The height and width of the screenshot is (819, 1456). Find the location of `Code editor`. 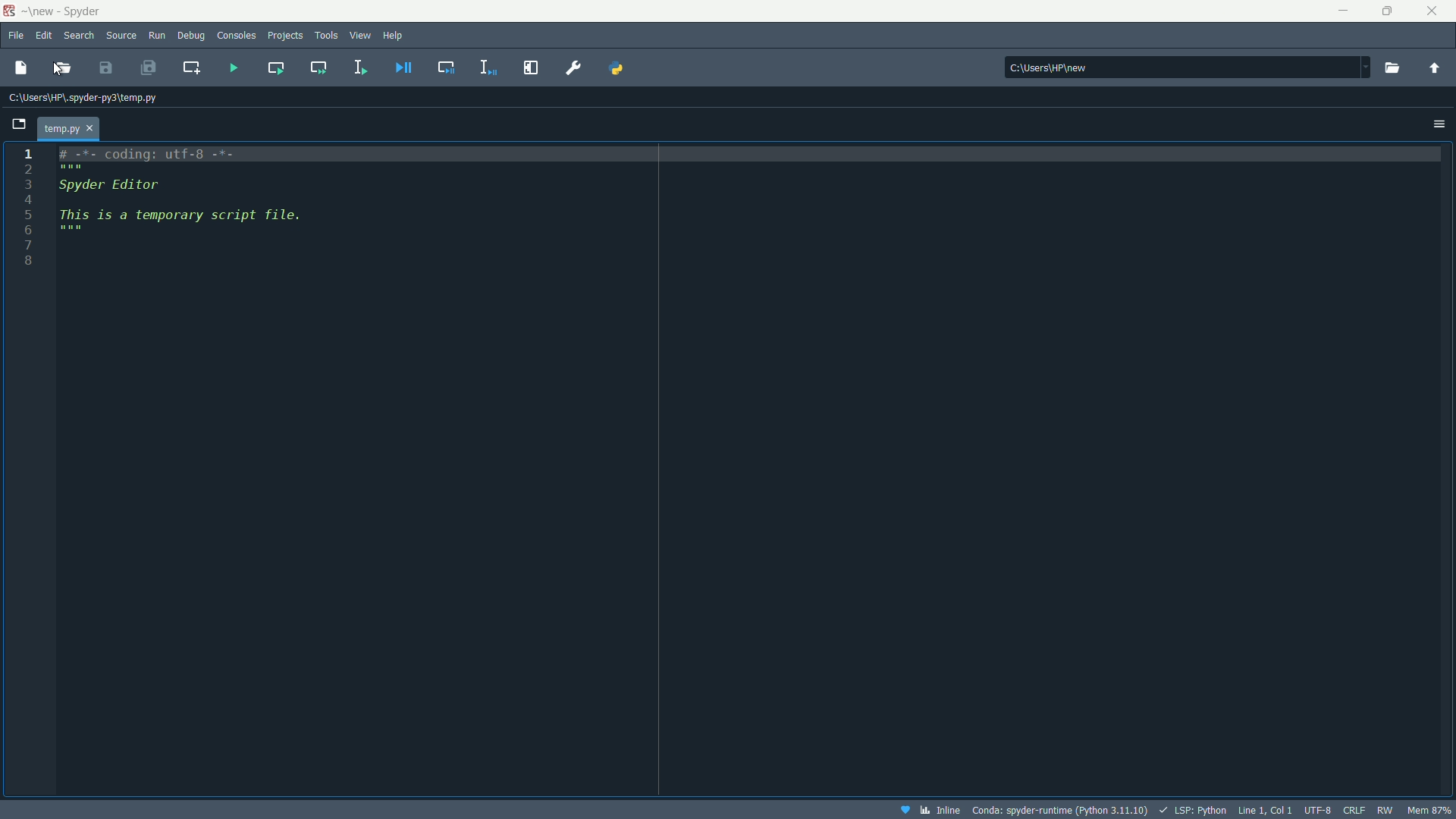

Code editor is located at coordinates (200, 197).